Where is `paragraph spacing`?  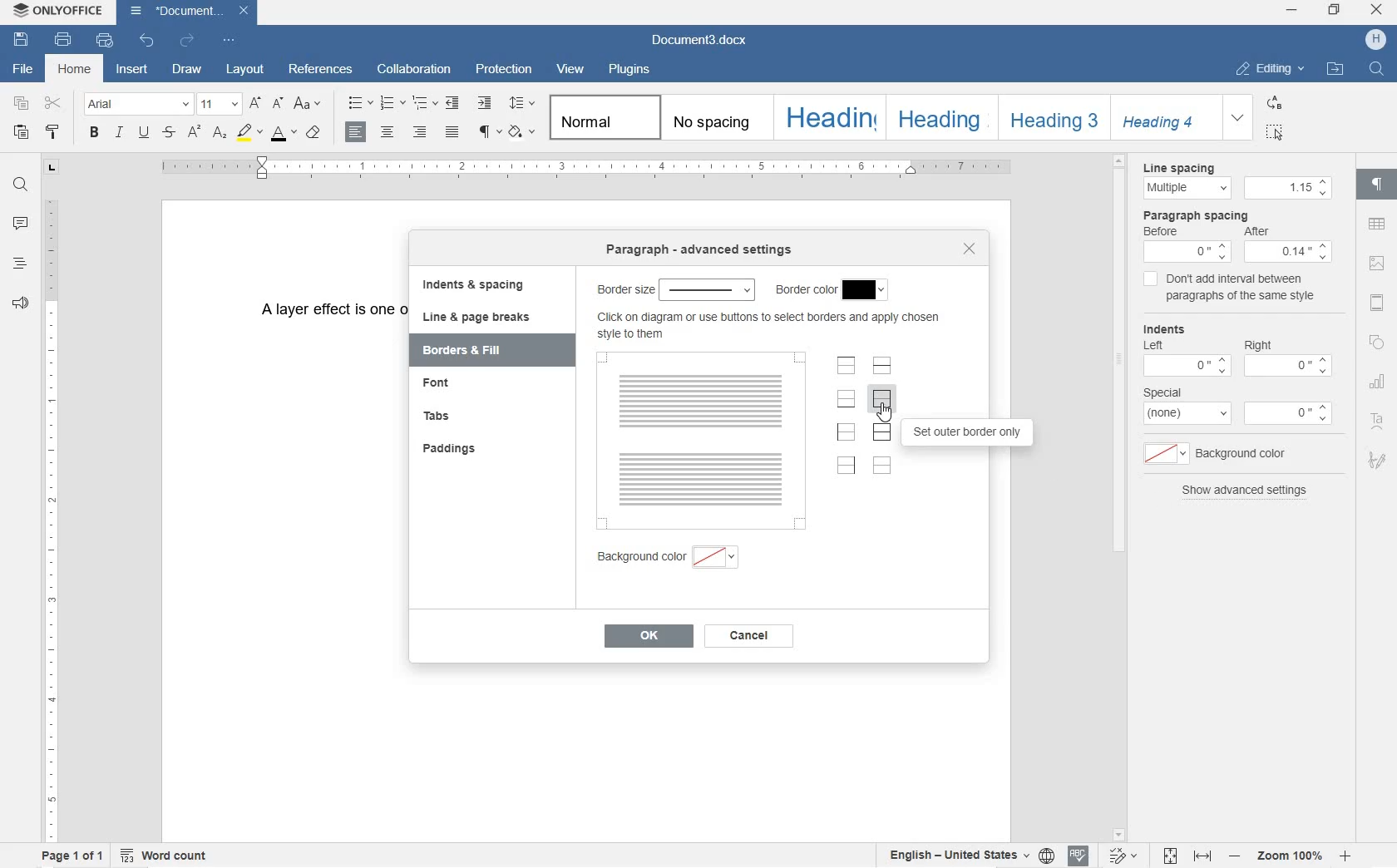 paragraph spacing is located at coordinates (1239, 215).